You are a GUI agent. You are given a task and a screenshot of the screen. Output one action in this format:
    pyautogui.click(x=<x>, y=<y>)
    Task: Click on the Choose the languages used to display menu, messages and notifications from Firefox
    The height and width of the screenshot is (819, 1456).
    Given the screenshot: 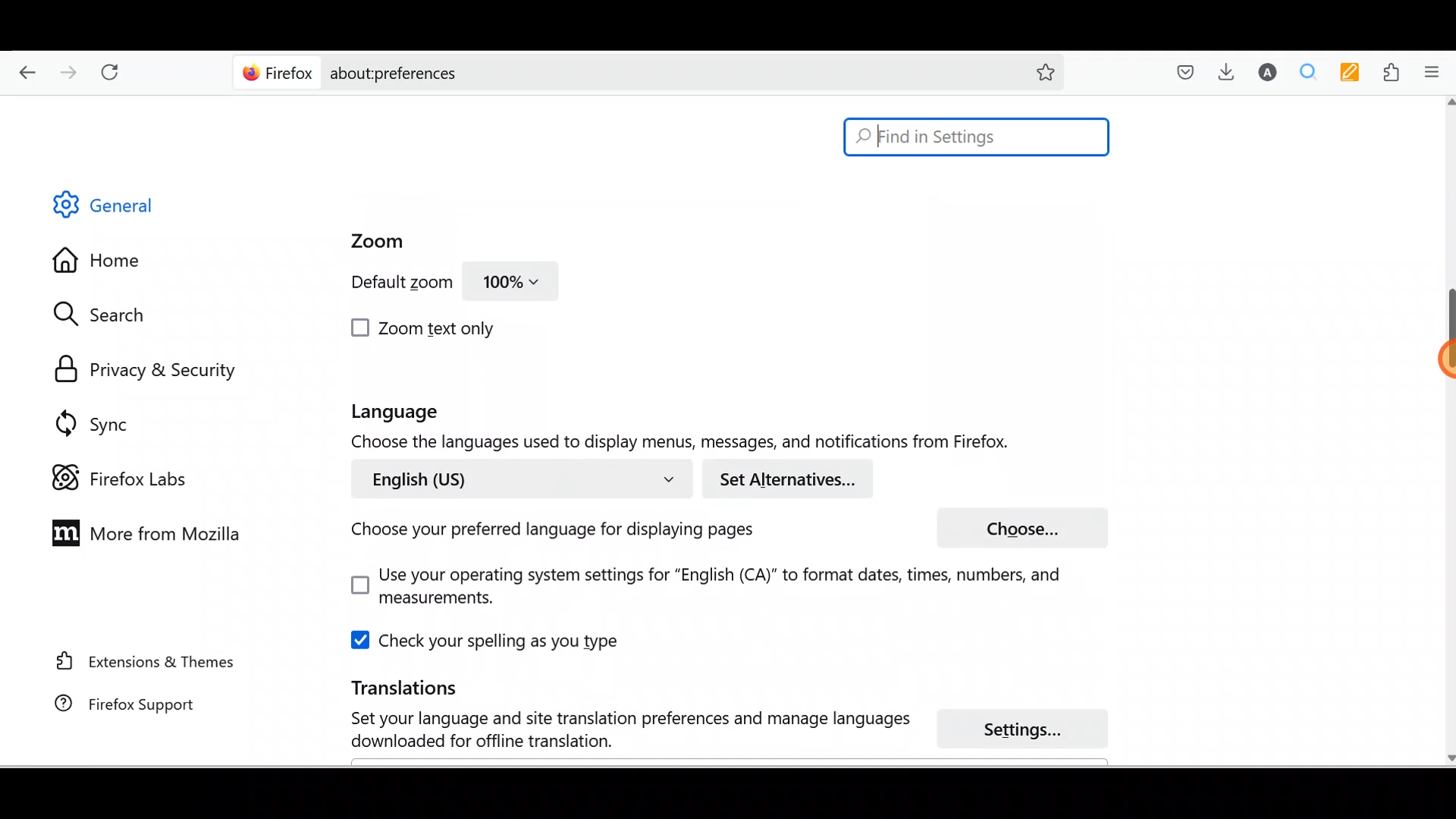 What is the action you would take?
    pyautogui.click(x=694, y=444)
    